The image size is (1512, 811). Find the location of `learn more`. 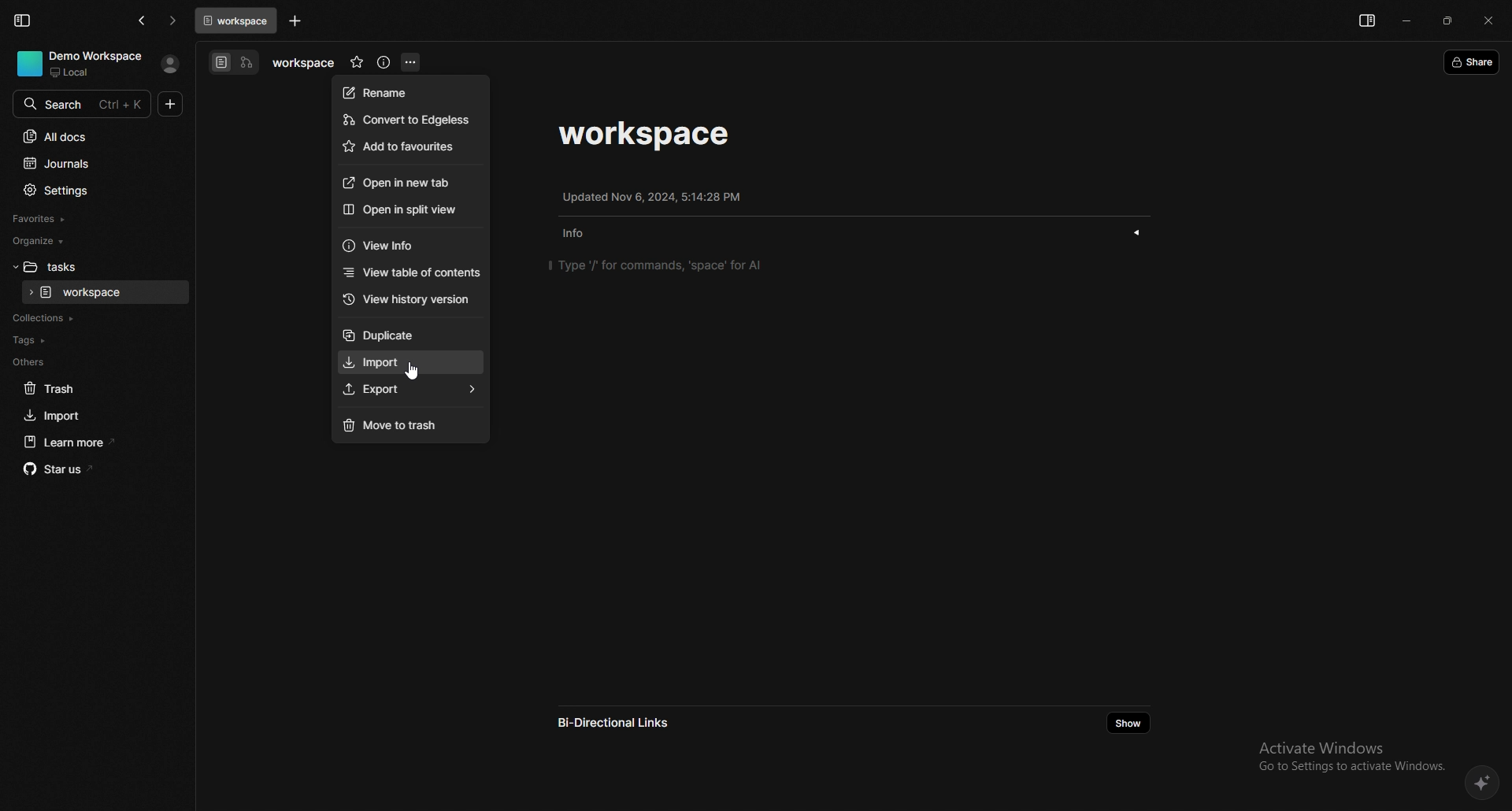

learn more is located at coordinates (94, 443).